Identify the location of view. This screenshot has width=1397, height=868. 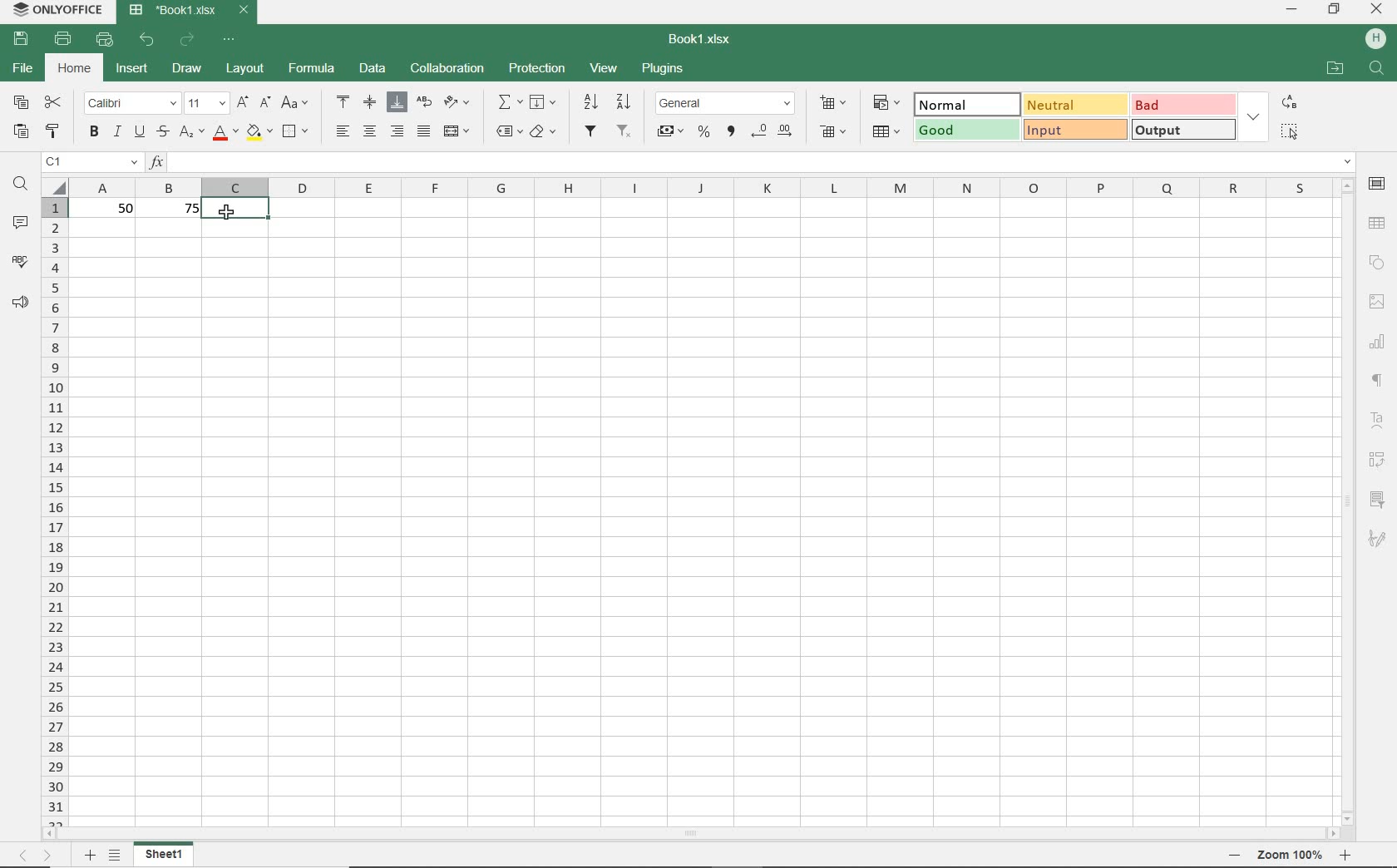
(603, 67).